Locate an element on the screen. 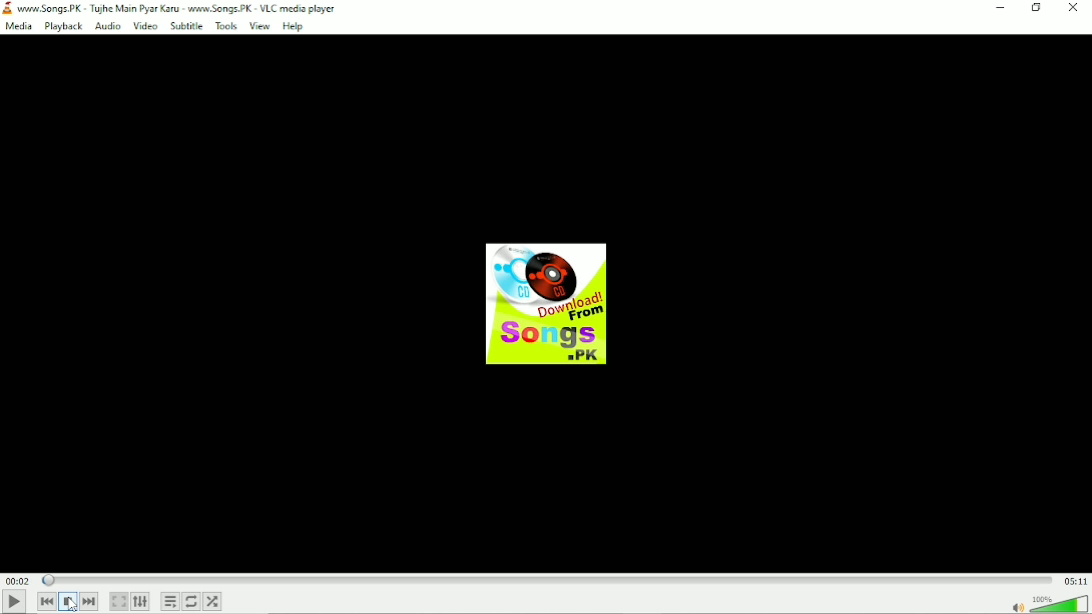 The width and height of the screenshot is (1092, 614). cursor is located at coordinates (67, 608).